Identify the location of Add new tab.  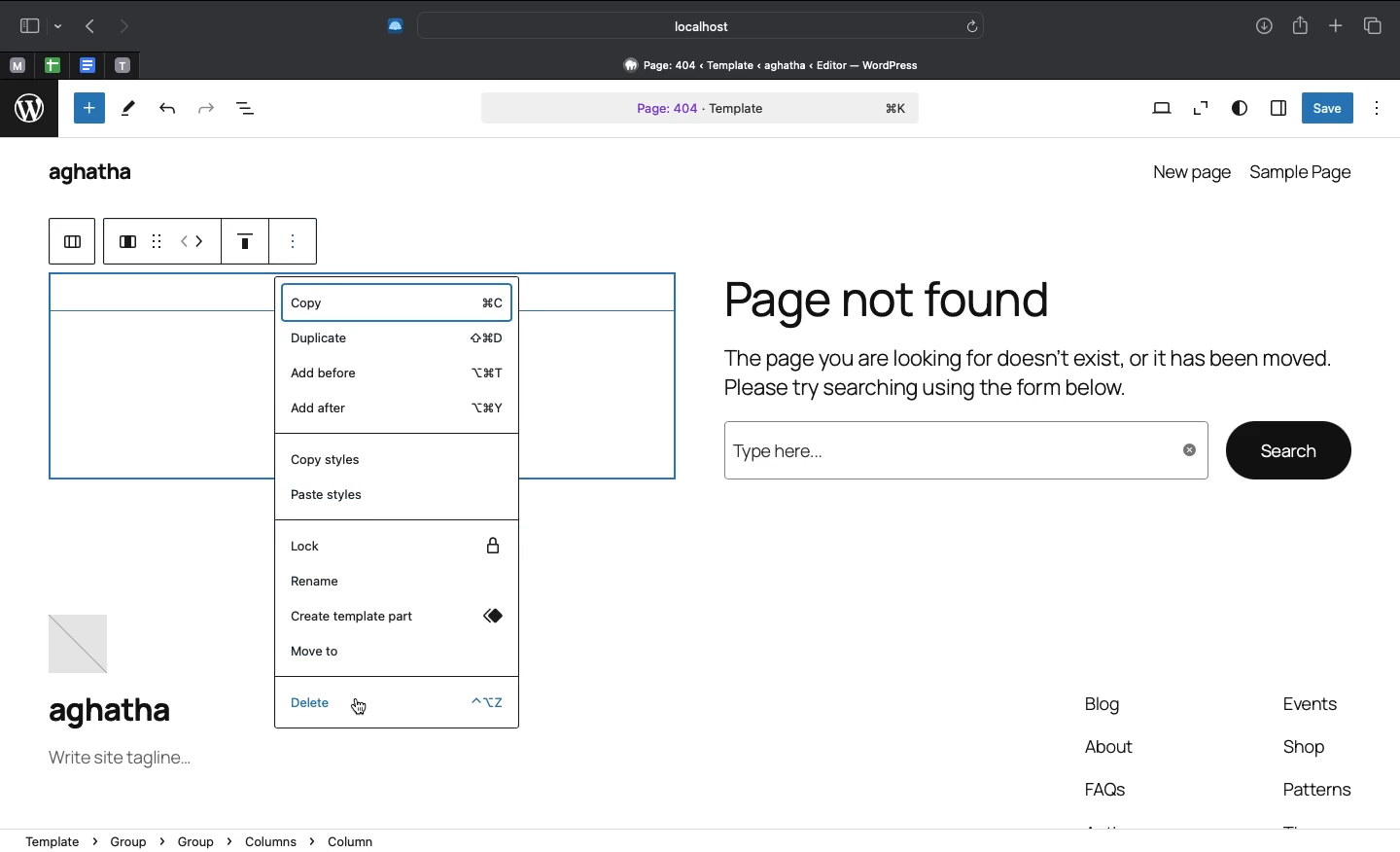
(1335, 22).